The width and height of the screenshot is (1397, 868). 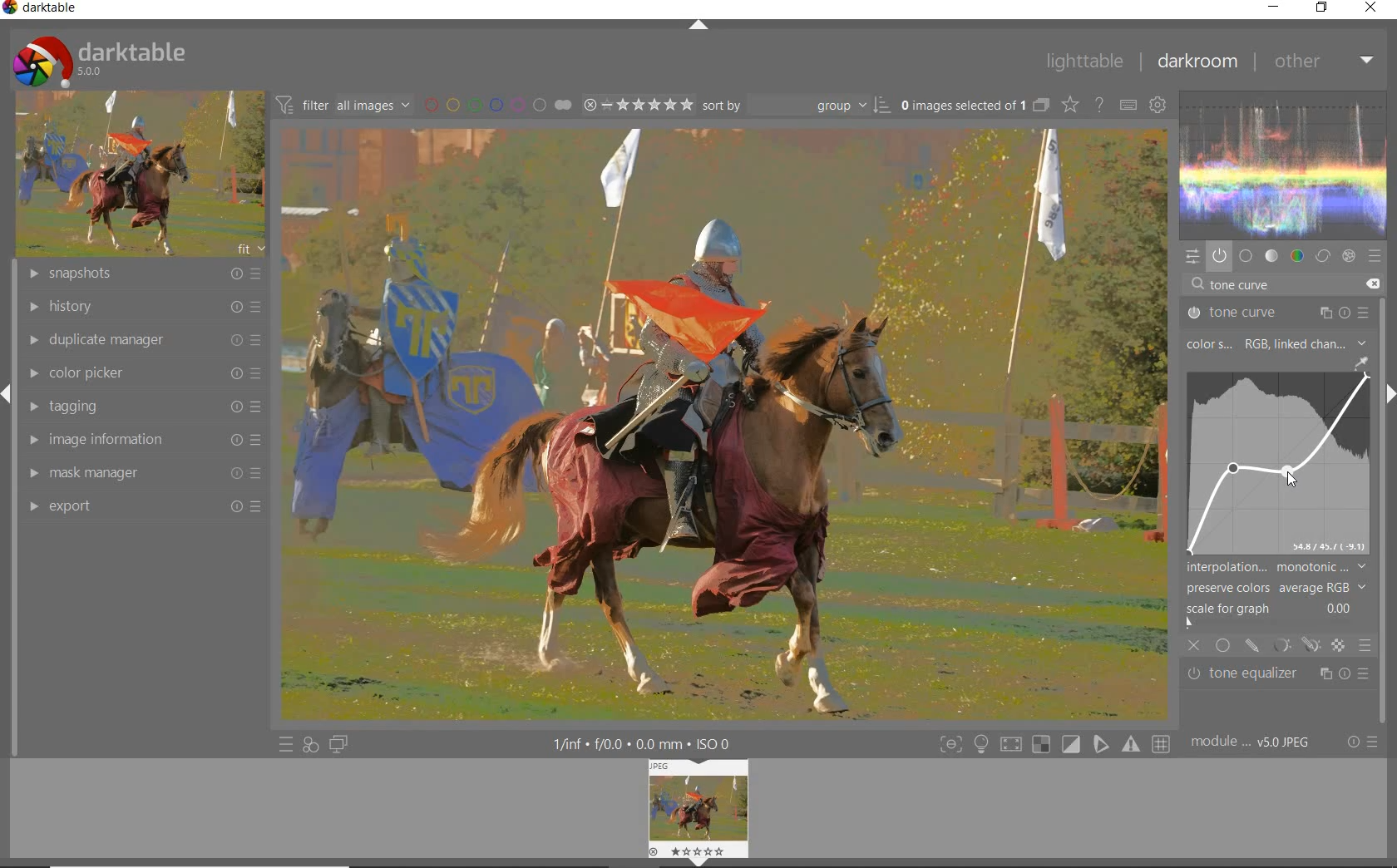 I want to click on 1/fnf f/0.0 0.0 mm ISO 0, so click(x=649, y=743).